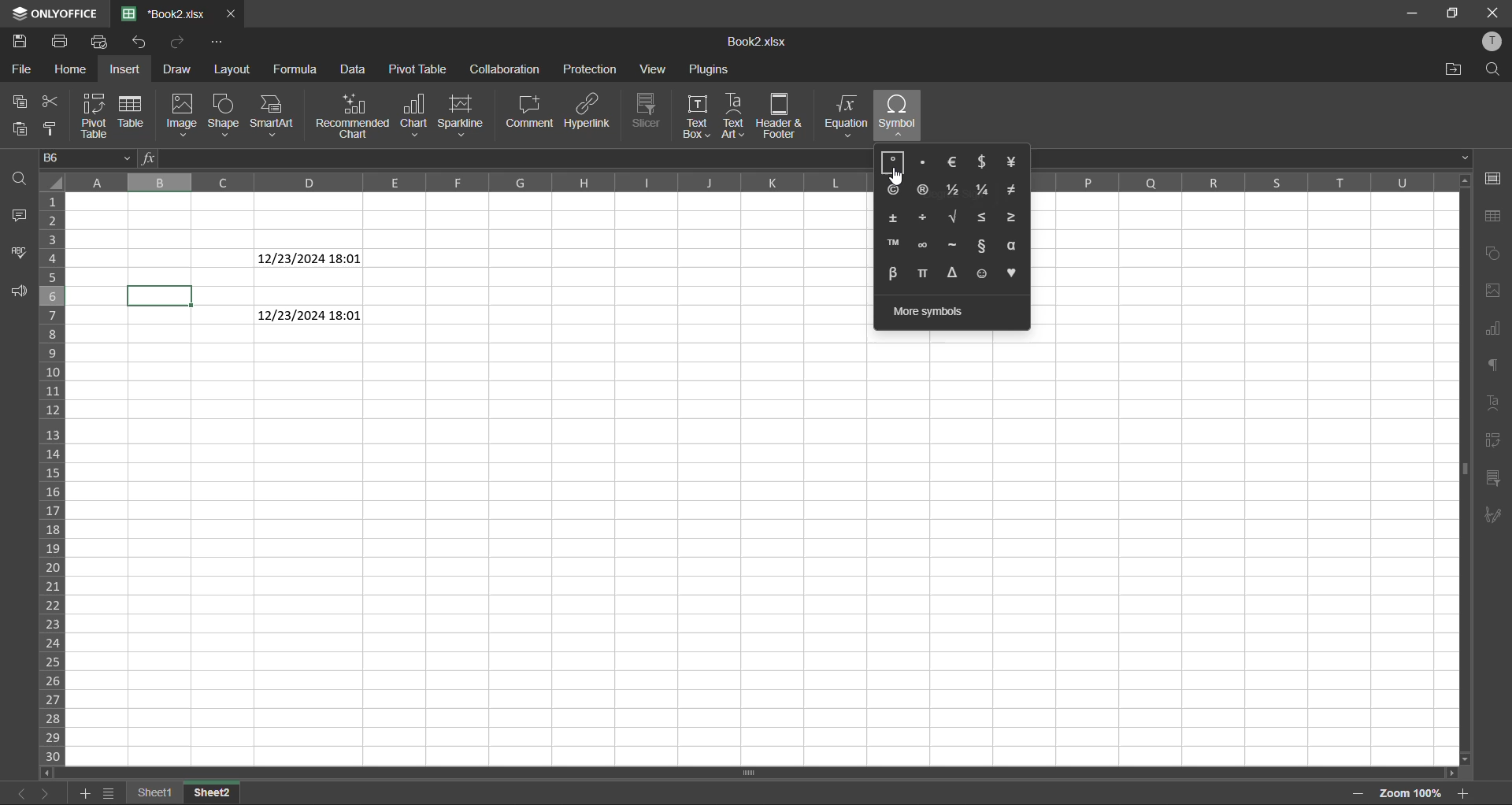  Describe the element at coordinates (1016, 217) in the screenshot. I see `greater than or equal to` at that location.